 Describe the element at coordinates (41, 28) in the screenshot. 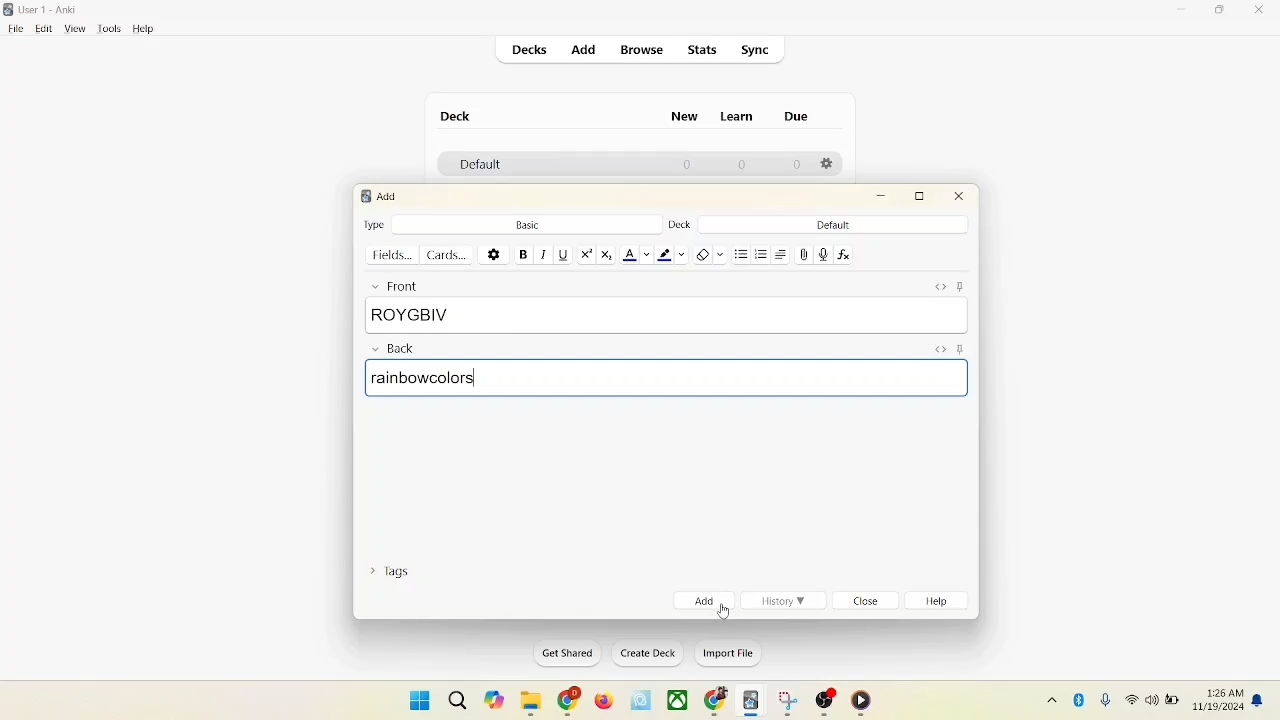

I see `edit` at that location.